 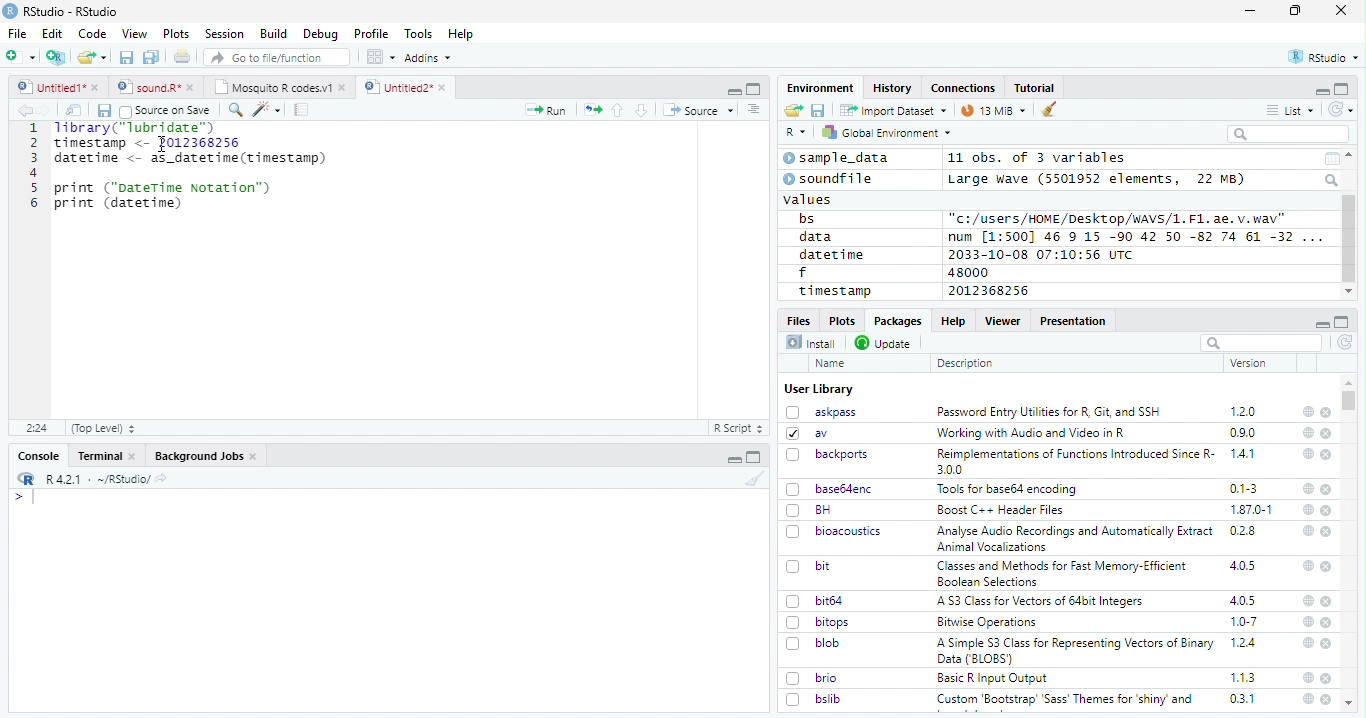 What do you see at coordinates (962, 88) in the screenshot?
I see `Connections` at bounding box center [962, 88].